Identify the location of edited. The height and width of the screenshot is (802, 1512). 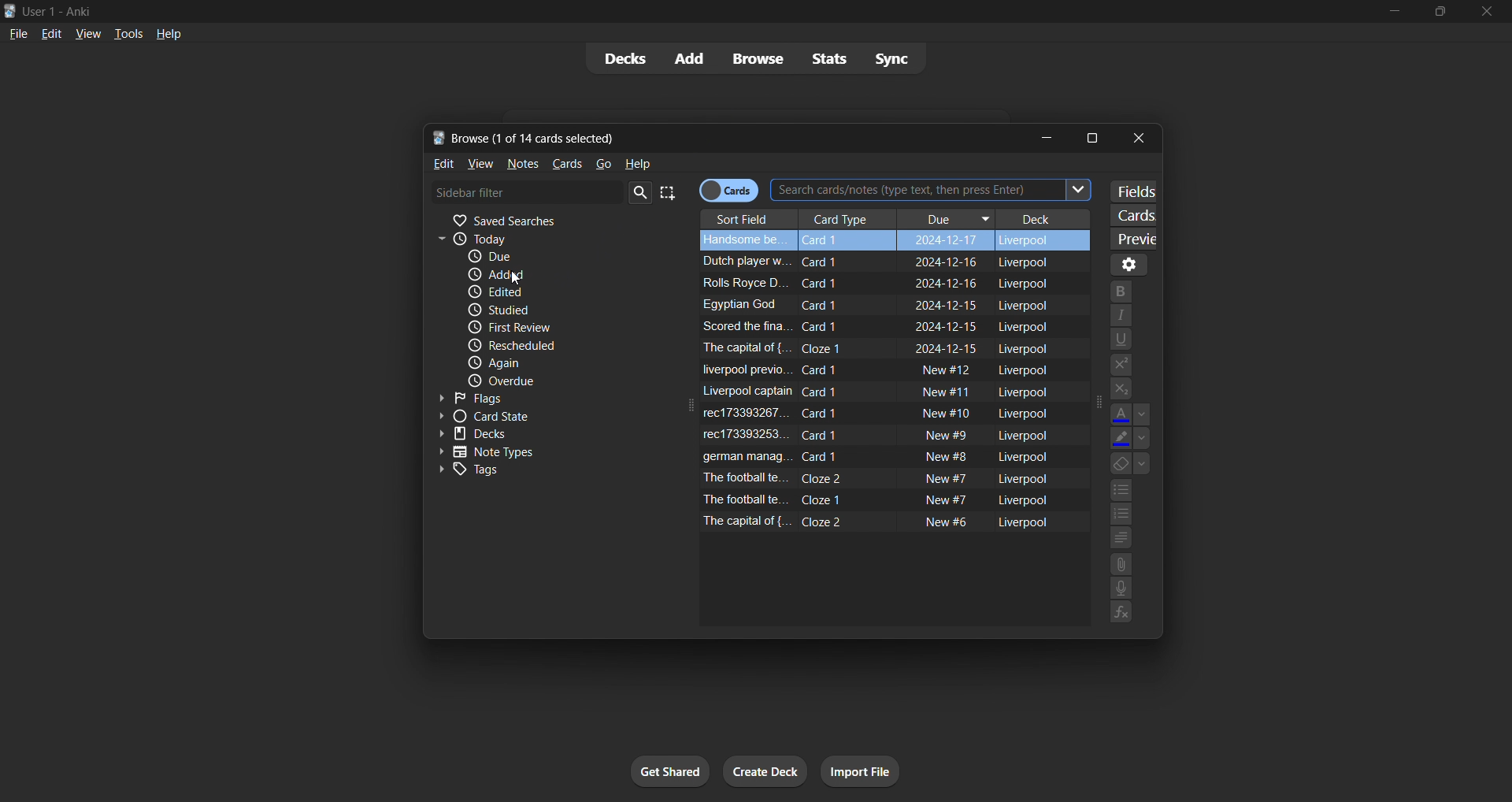
(543, 292).